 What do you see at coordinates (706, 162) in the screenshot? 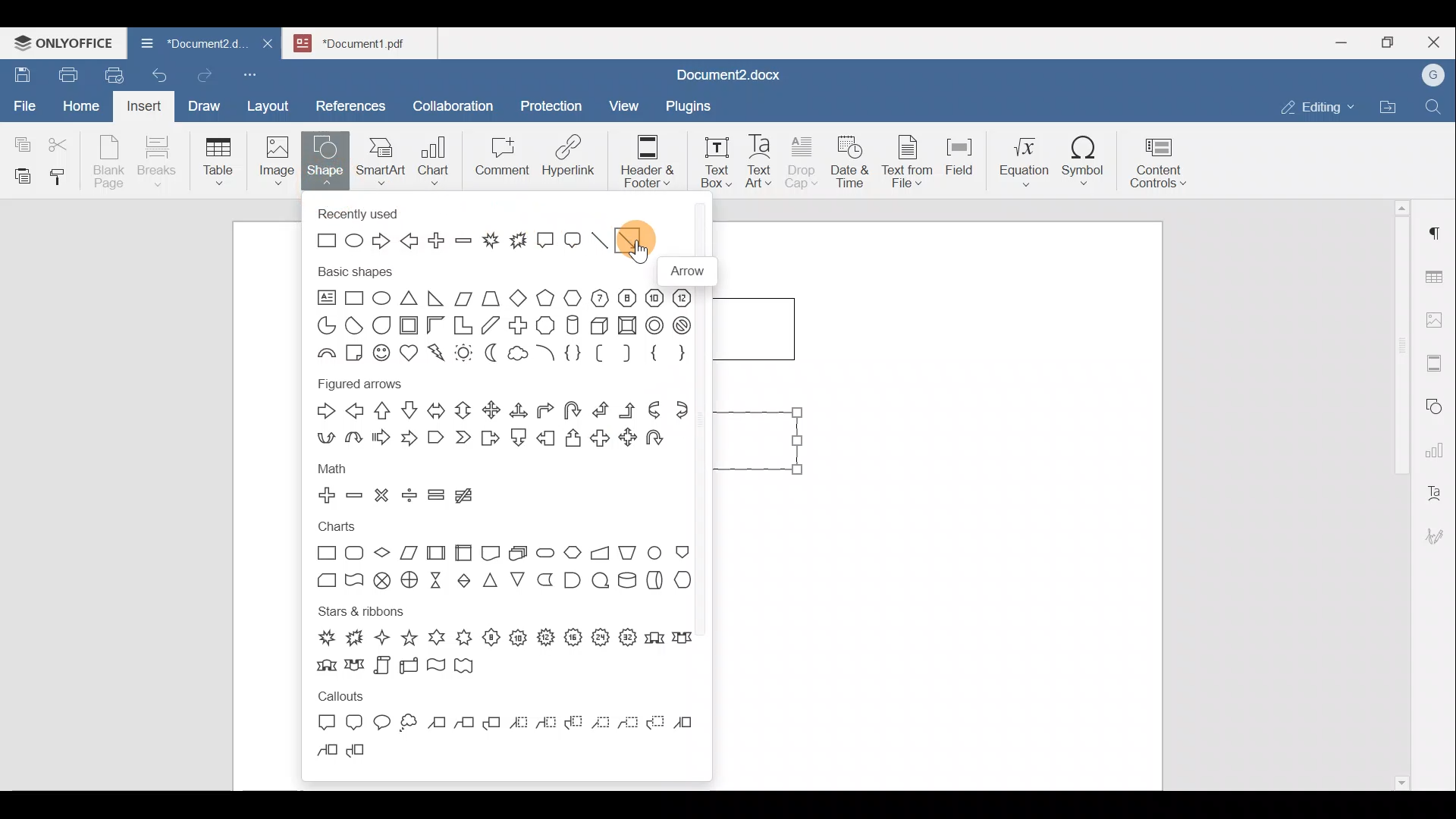
I see `Text box` at bounding box center [706, 162].